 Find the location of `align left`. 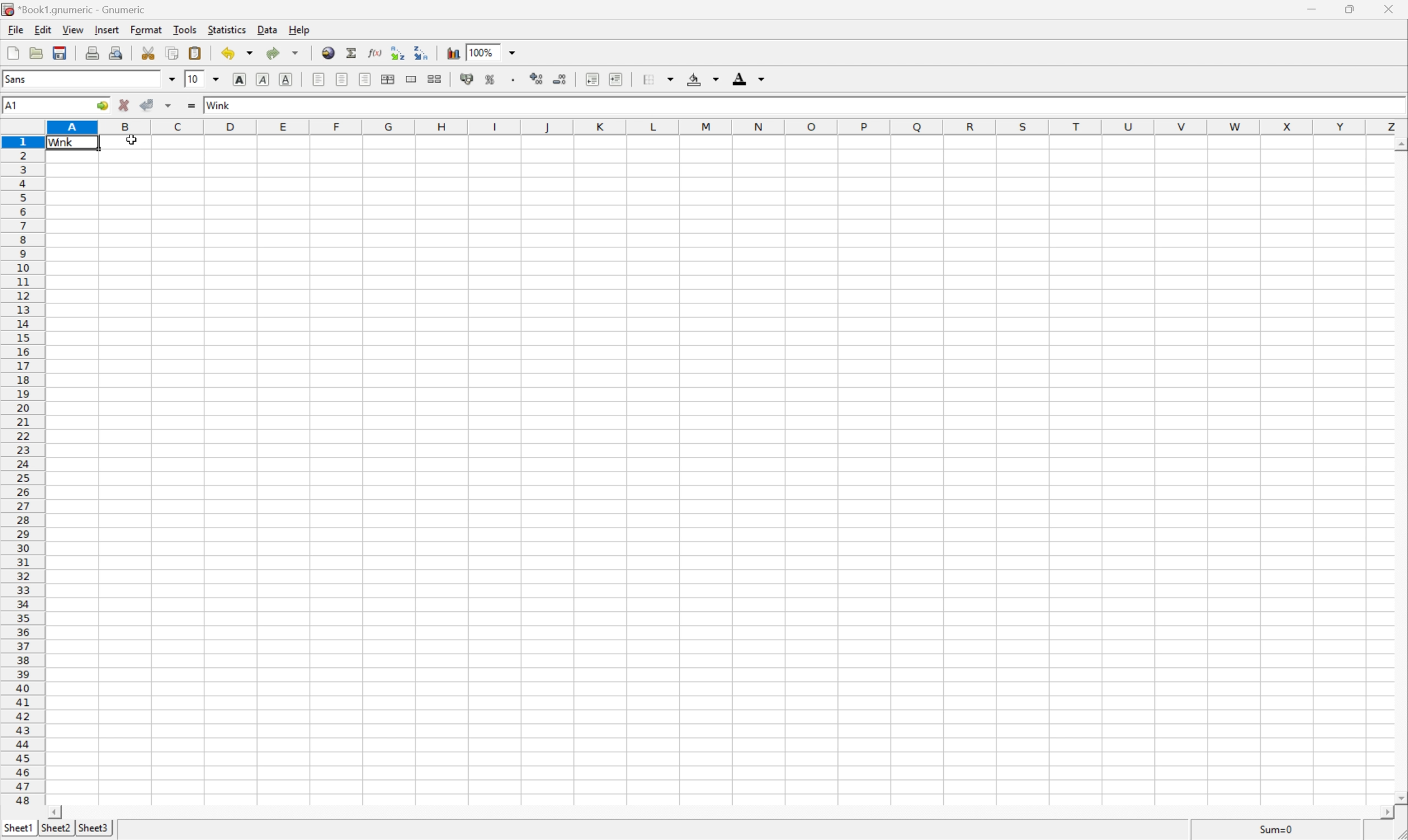

align left is located at coordinates (320, 79).